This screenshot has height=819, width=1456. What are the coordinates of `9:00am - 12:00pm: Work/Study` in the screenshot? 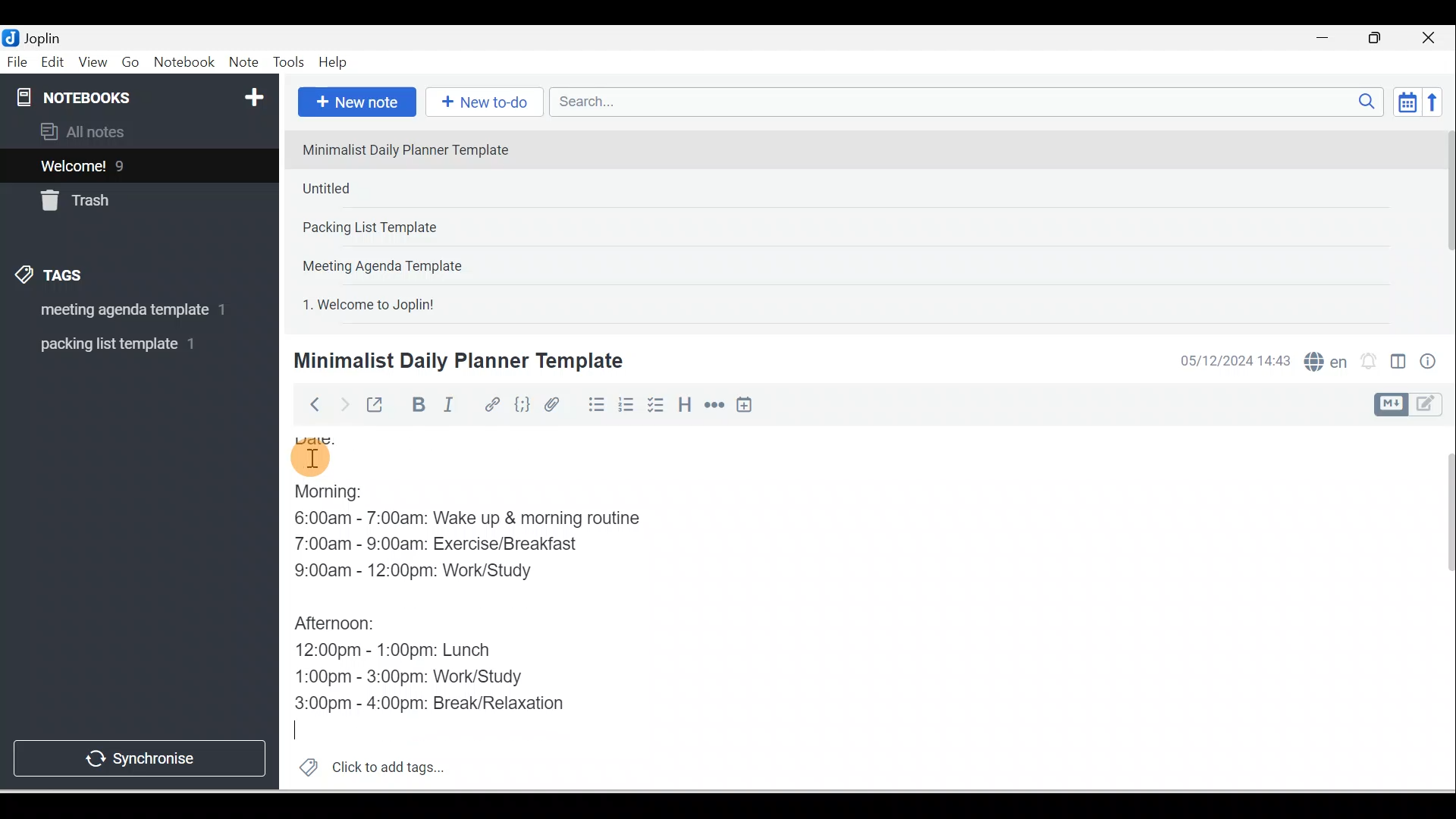 It's located at (434, 573).